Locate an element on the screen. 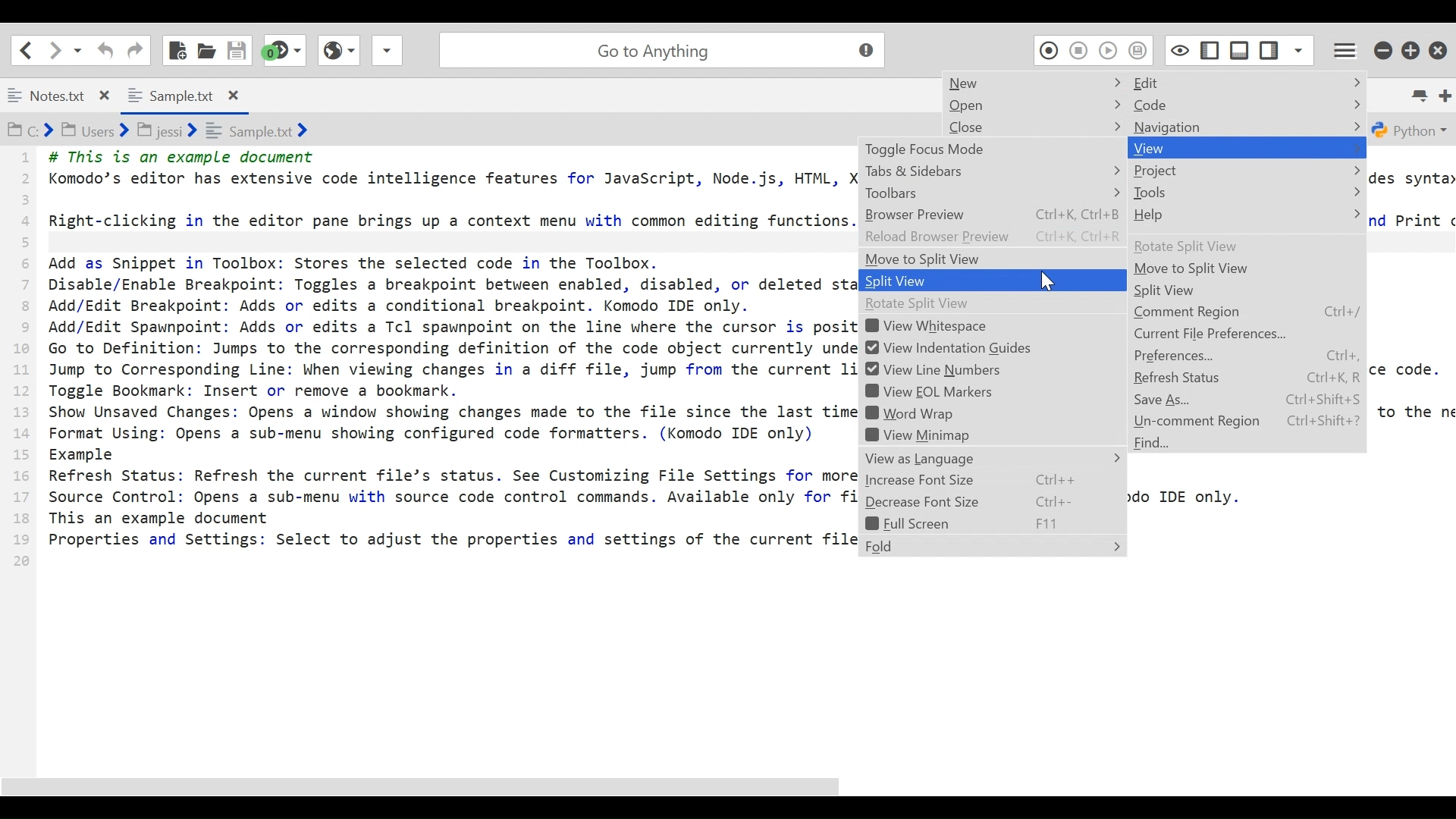 Image resolution: width=1456 pixels, height=819 pixels. Python is located at coordinates (1411, 130).